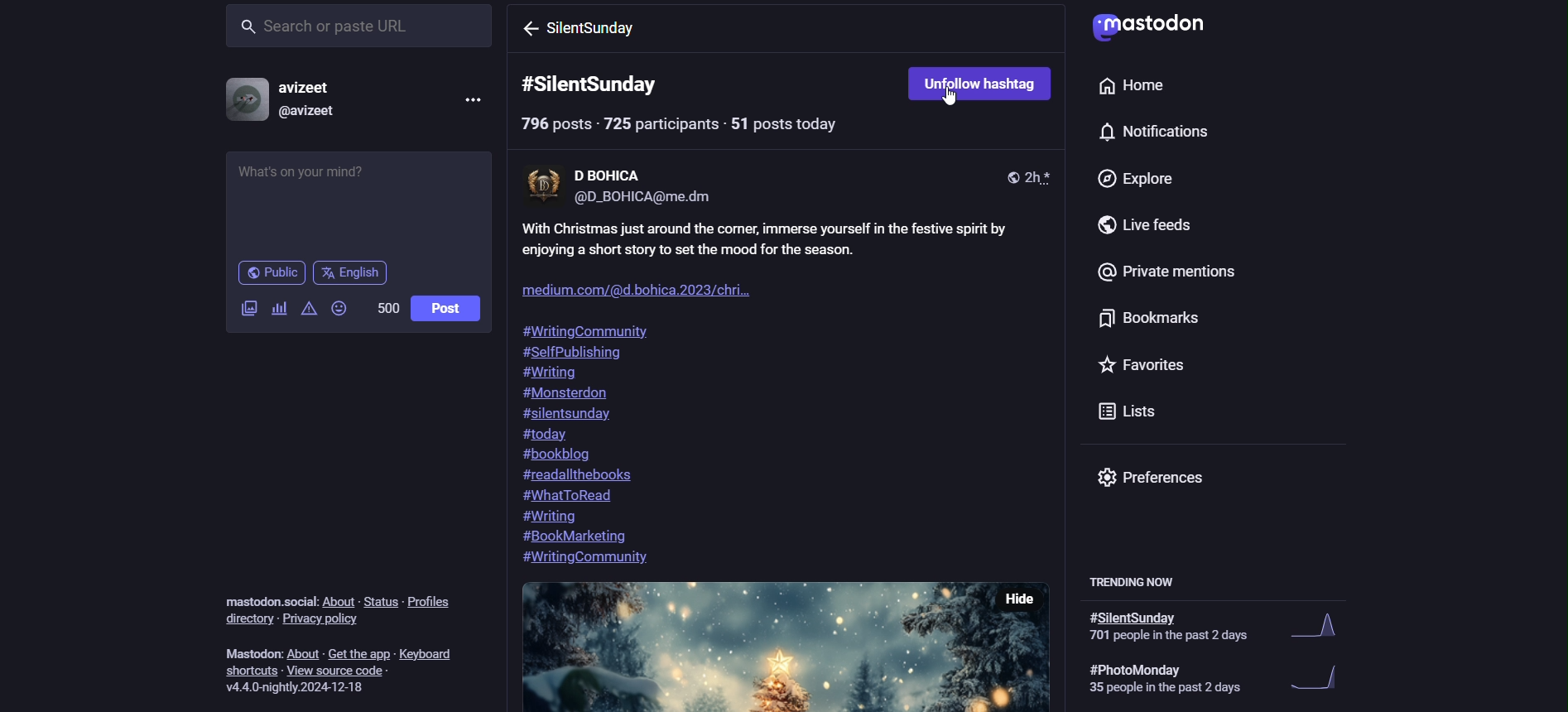 This screenshot has width=1568, height=712. What do you see at coordinates (249, 652) in the screenshot?
I see `mastodon` at bounding box center [249, 652].